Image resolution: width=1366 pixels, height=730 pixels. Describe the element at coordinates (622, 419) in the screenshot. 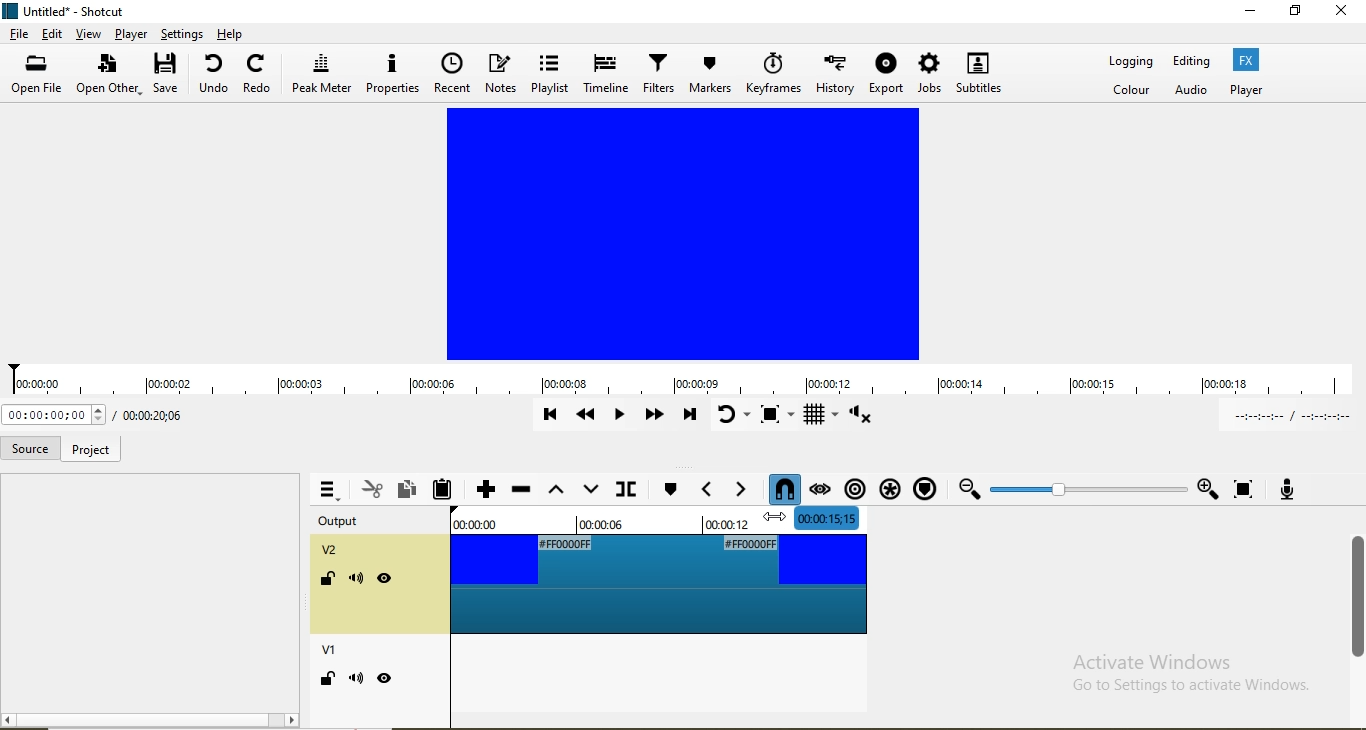

I see `Toggle play or pause` at that location.